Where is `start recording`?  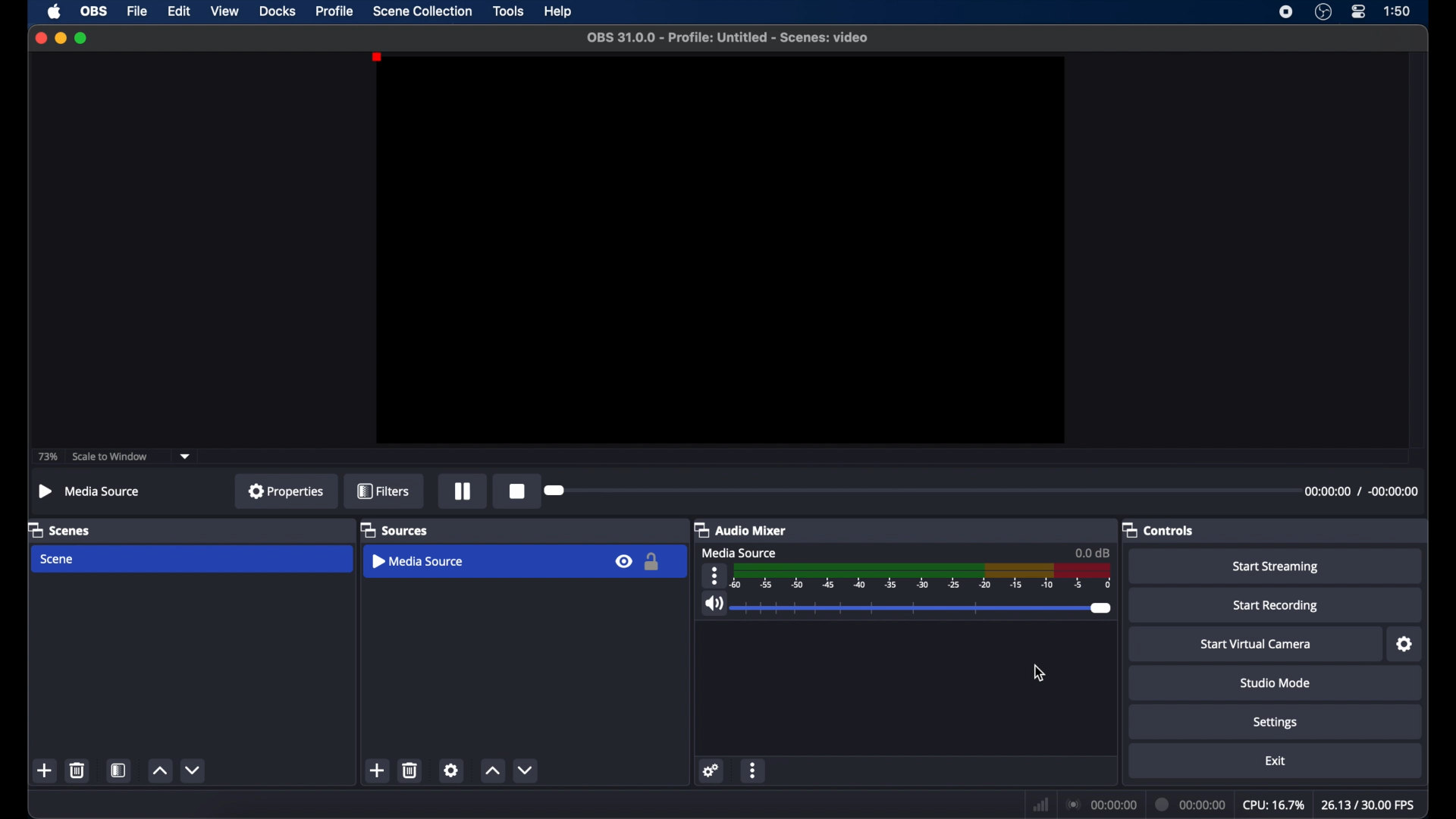
start recording is located at coordinates (1277, 605).